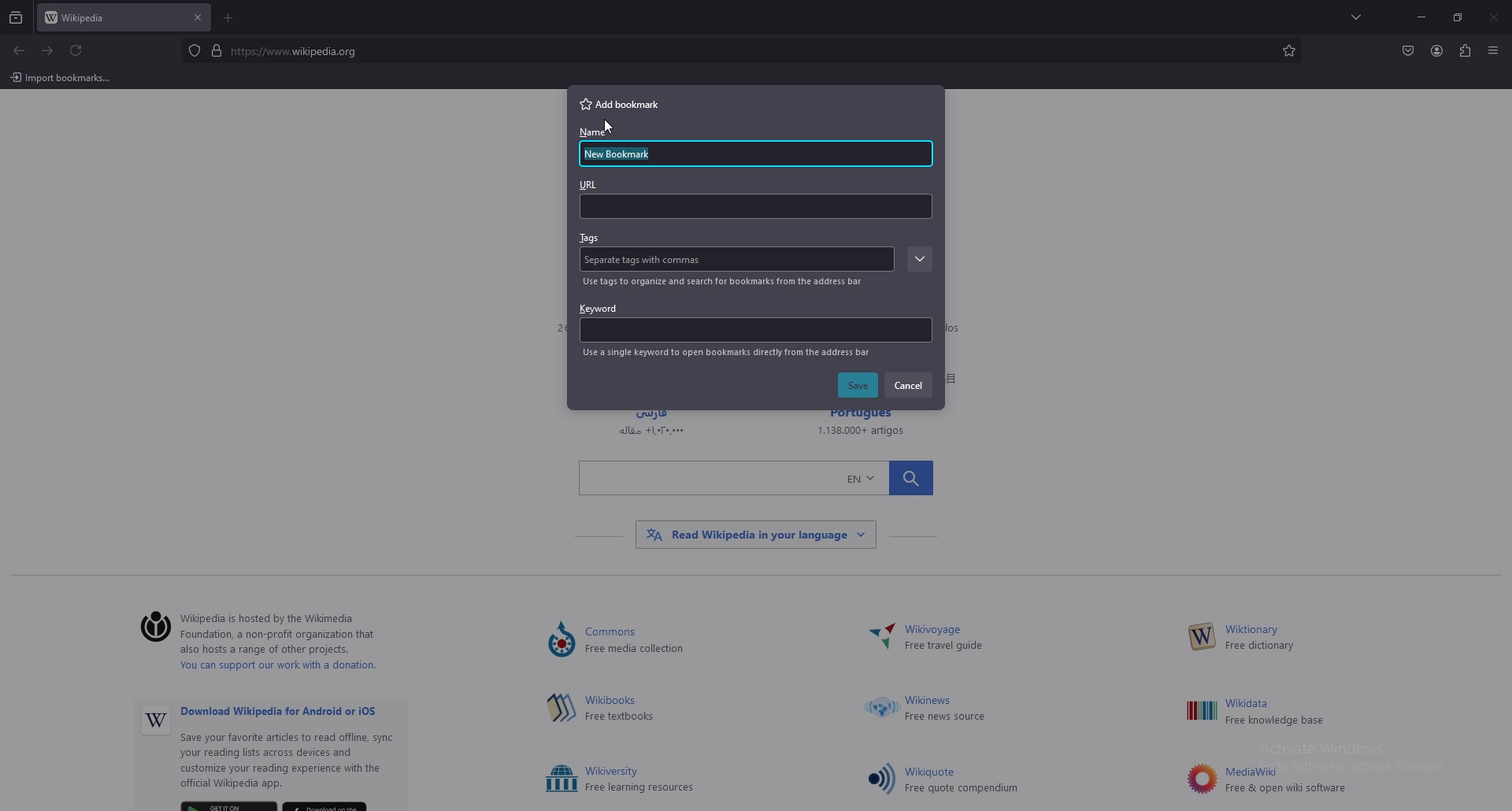 This screenshot has height=811, width=1512. I want to click on ~ Wikivoyage
Free travel guide, so click(951, 639).